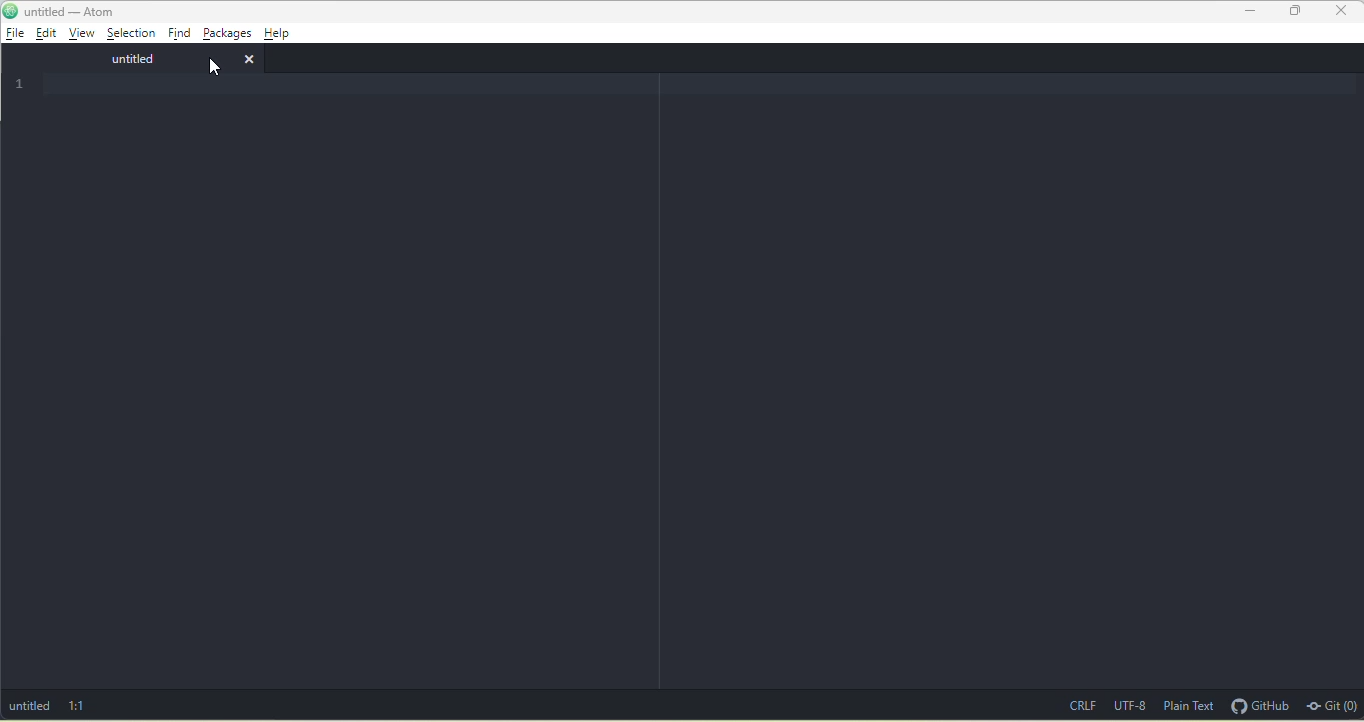 Image resolution: width=1364 pixels, height=722 pixels. Describe the element at coordinates (245, 58) in the screenshot. I see `close` at that location.